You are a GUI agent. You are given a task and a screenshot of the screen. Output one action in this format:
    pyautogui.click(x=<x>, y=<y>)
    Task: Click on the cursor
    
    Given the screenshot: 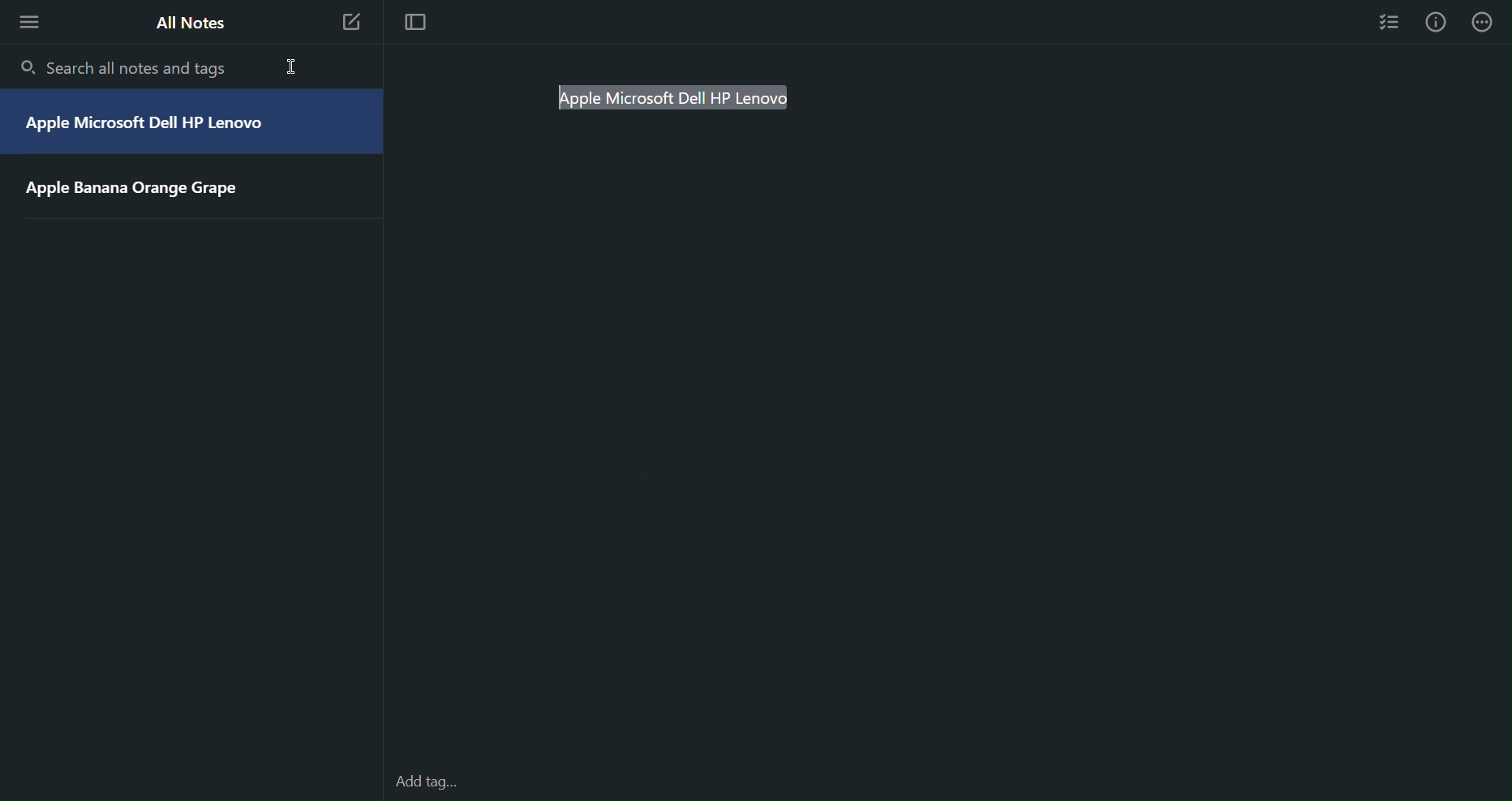 What is the action you would take?
    pyautogui.click(x=296, y=66)
    